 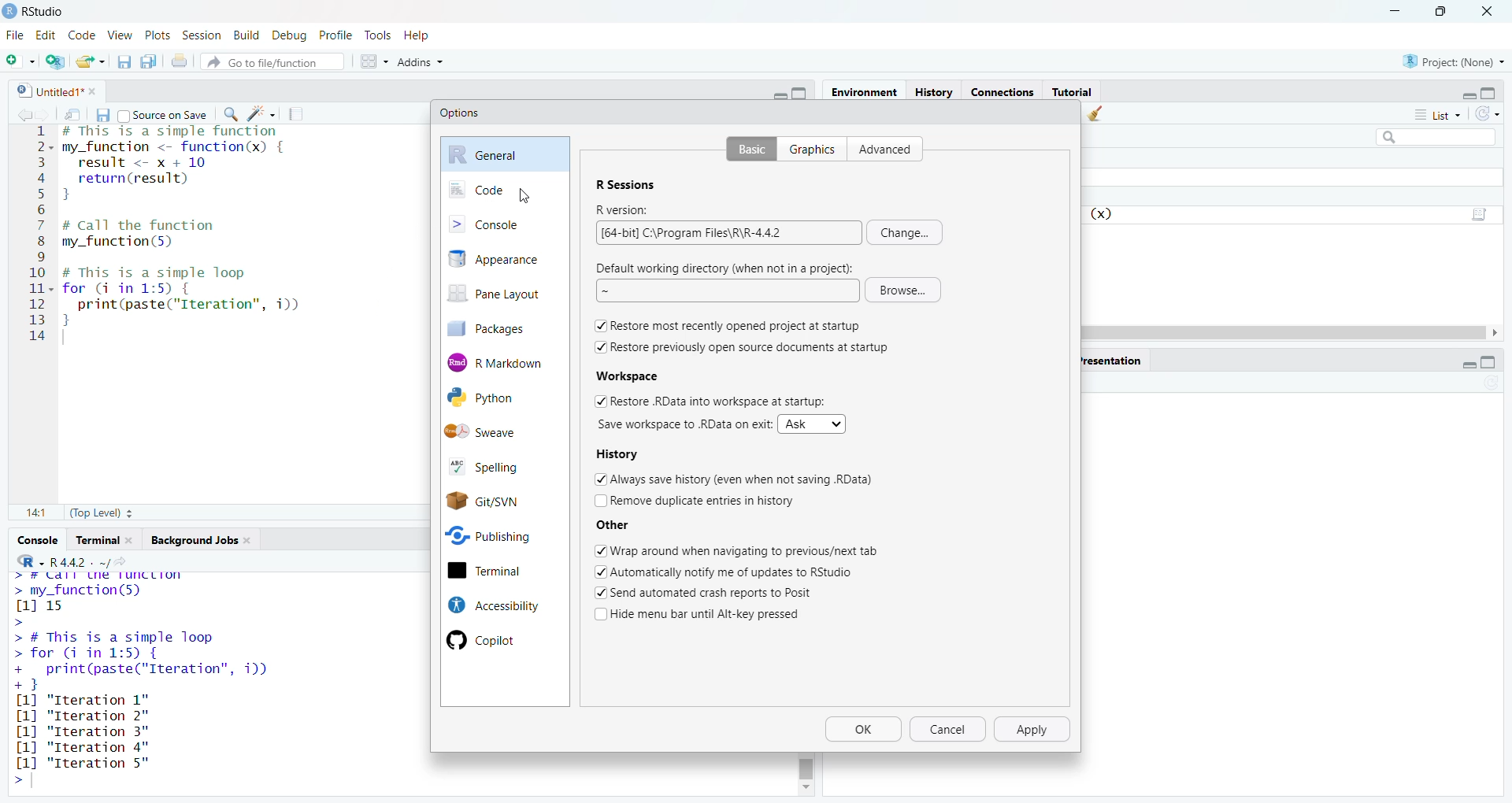 What do you see at coordinates (421, 61) in the screenshot?
I see `addins` at bounding box center [421, 61].